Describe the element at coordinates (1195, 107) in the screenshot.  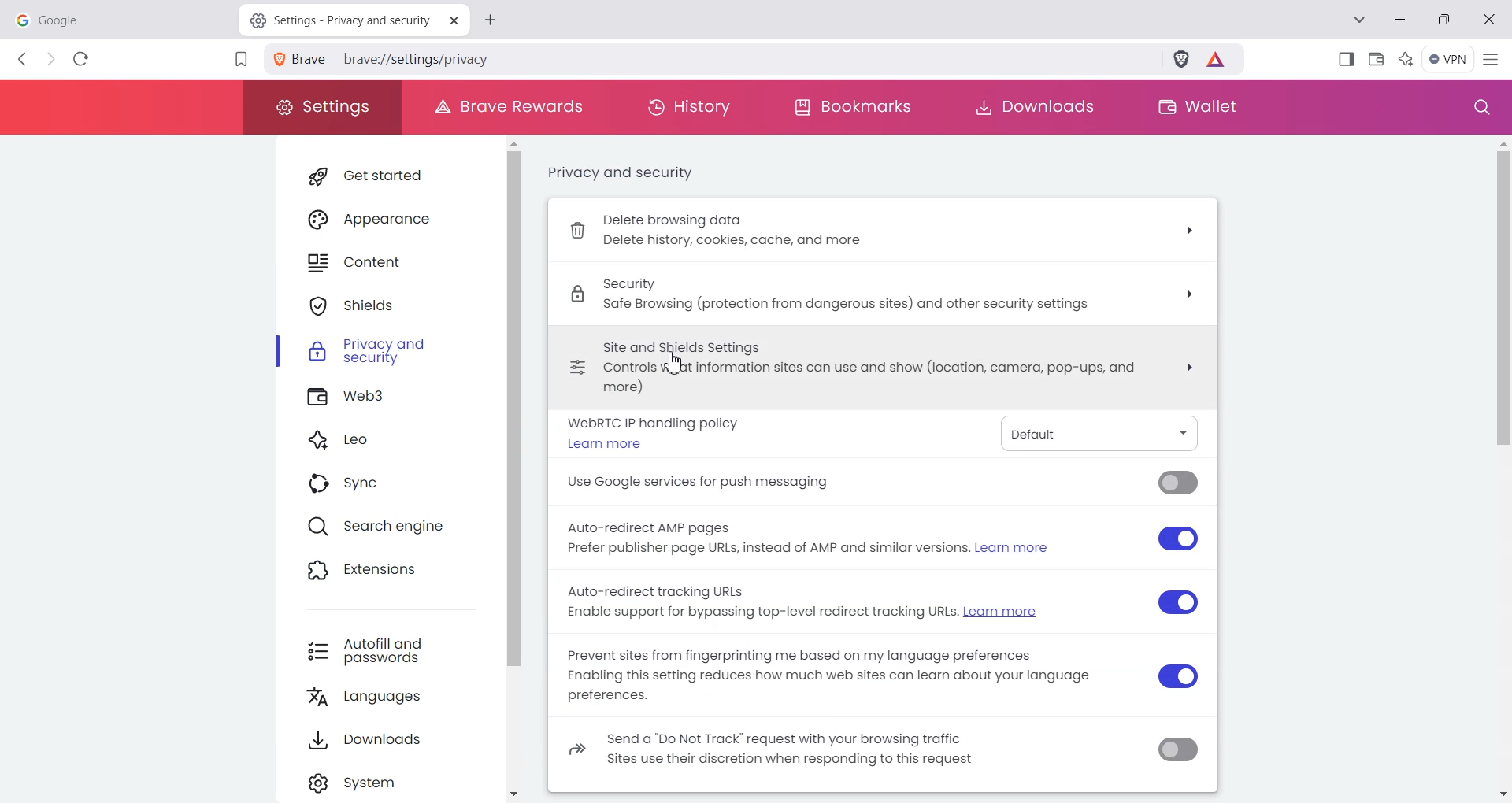
I see `Wallet` at that location.